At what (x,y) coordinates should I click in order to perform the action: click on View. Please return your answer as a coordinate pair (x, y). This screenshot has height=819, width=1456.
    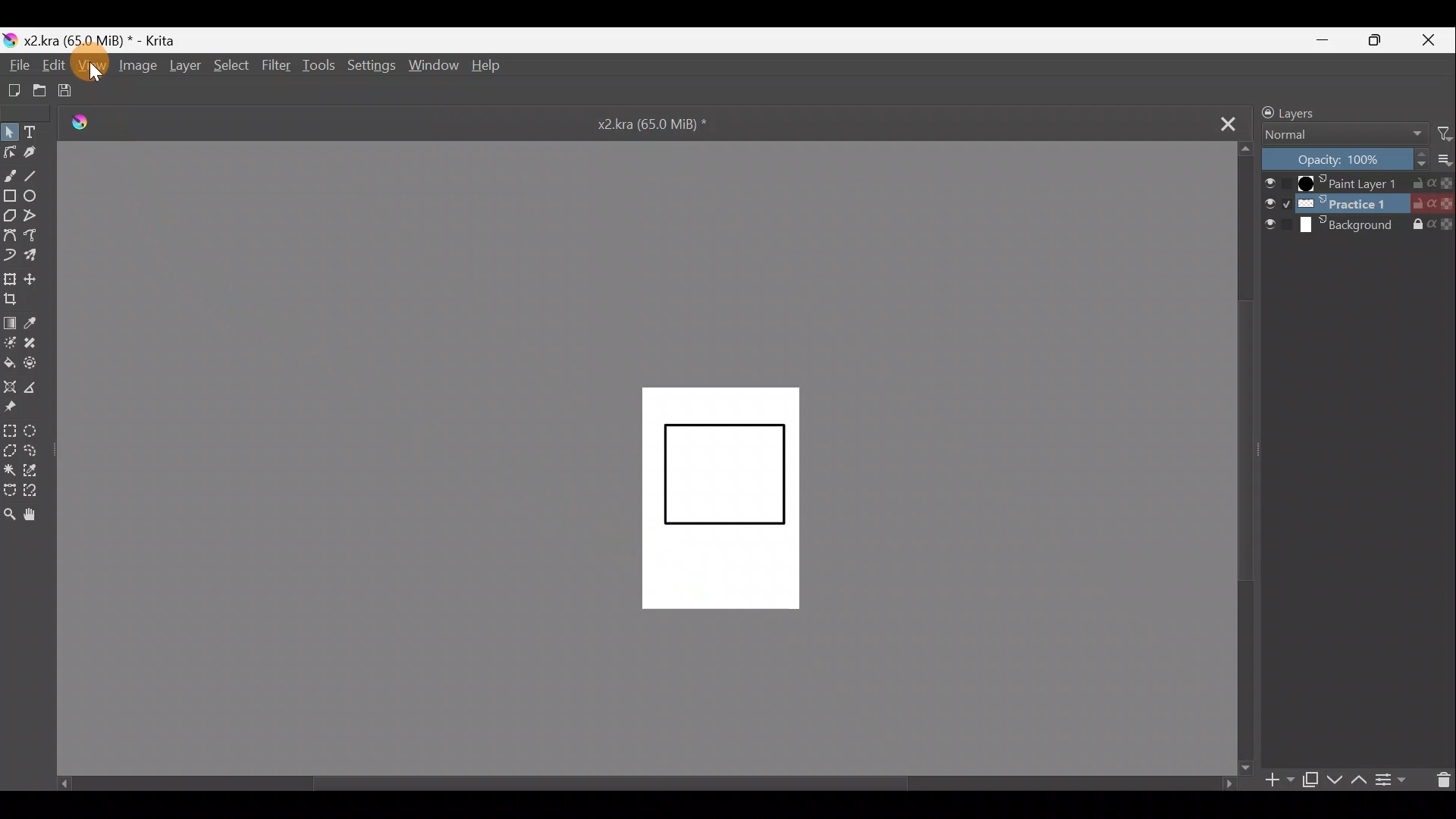
    Looking at the image, I should click on (89, 64).